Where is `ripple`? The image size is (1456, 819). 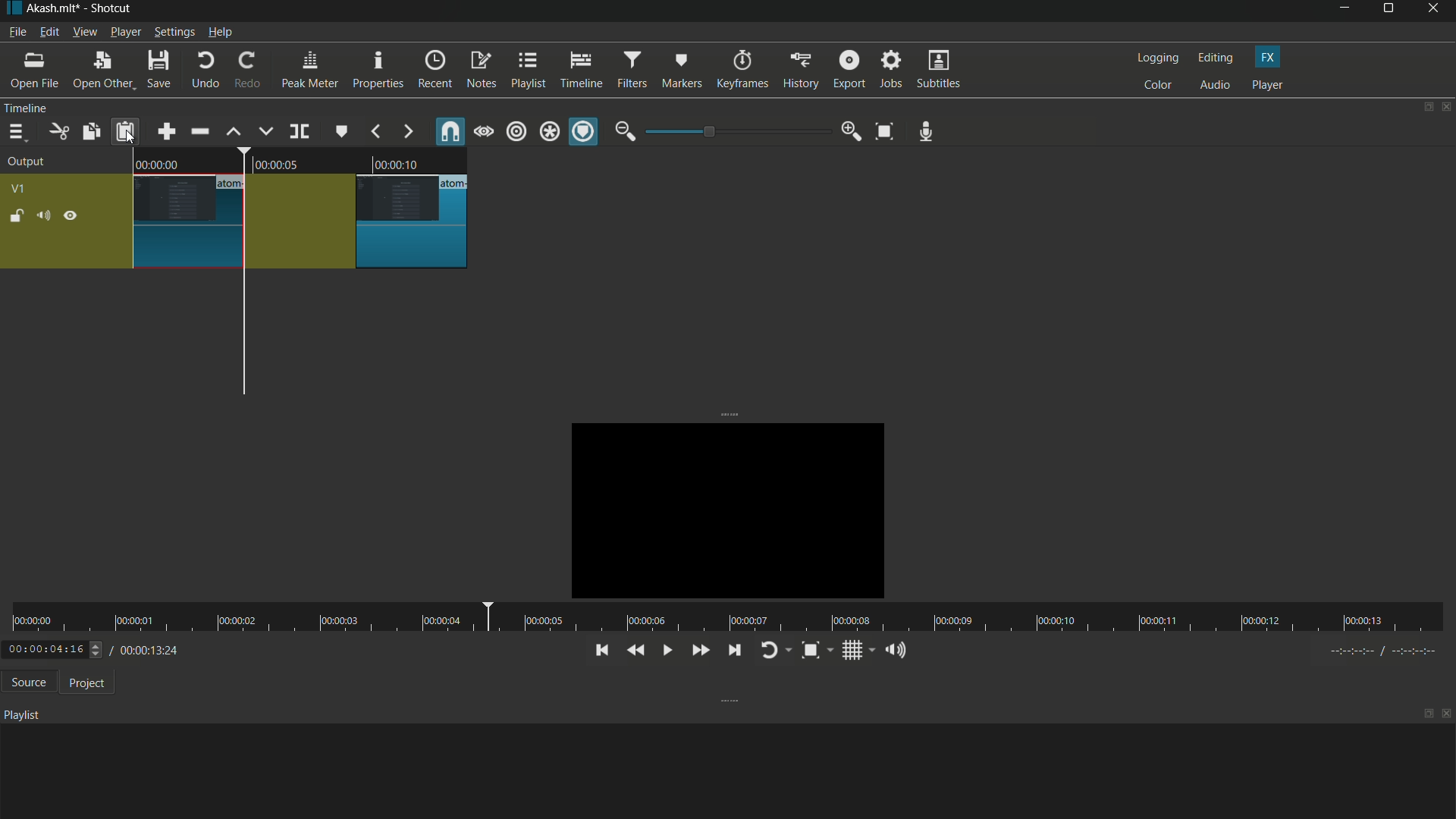
ripple is located at coordinates (517, 133).